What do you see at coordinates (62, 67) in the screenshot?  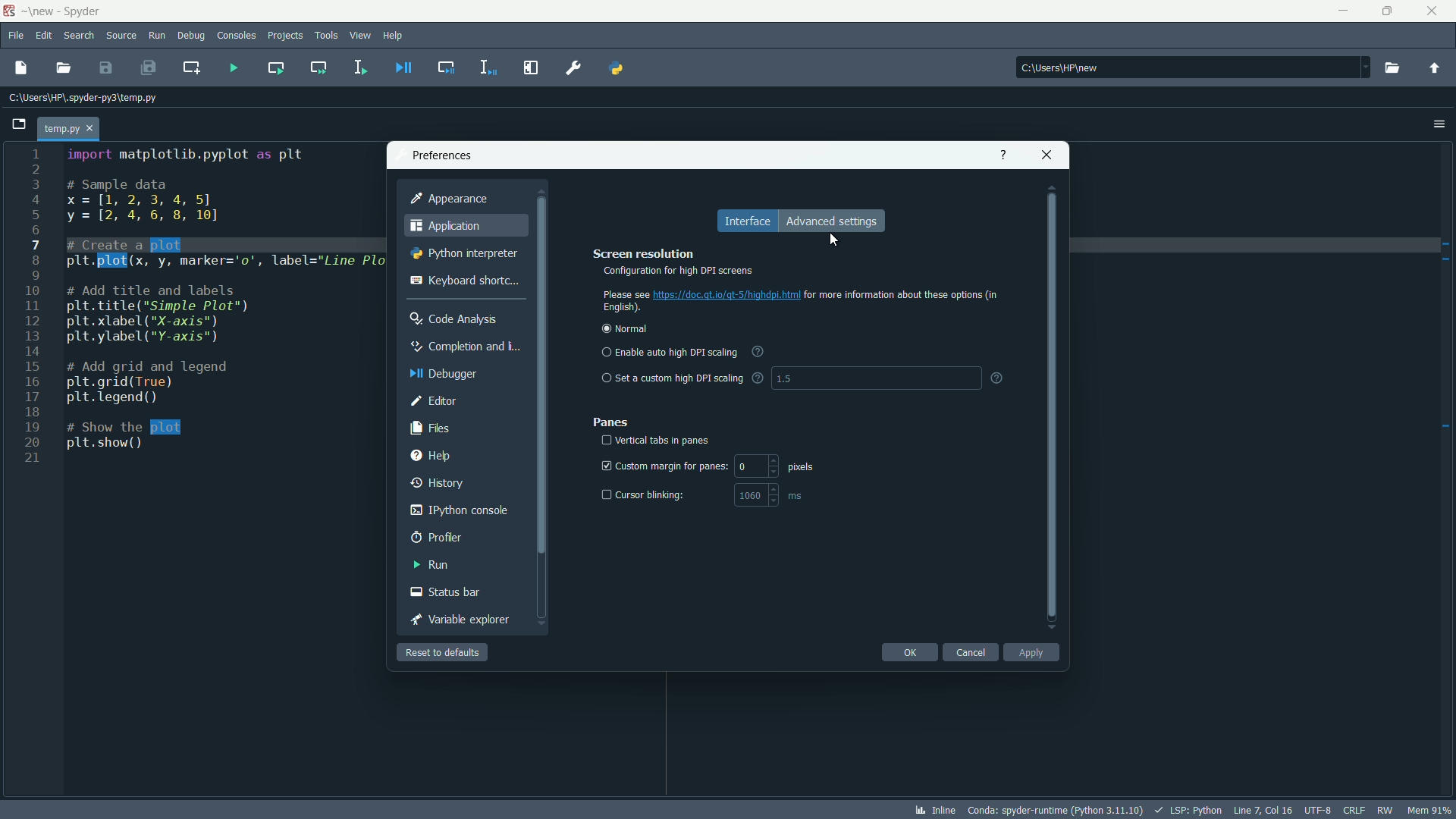 I see `open file` at bounding box center [62, 67].